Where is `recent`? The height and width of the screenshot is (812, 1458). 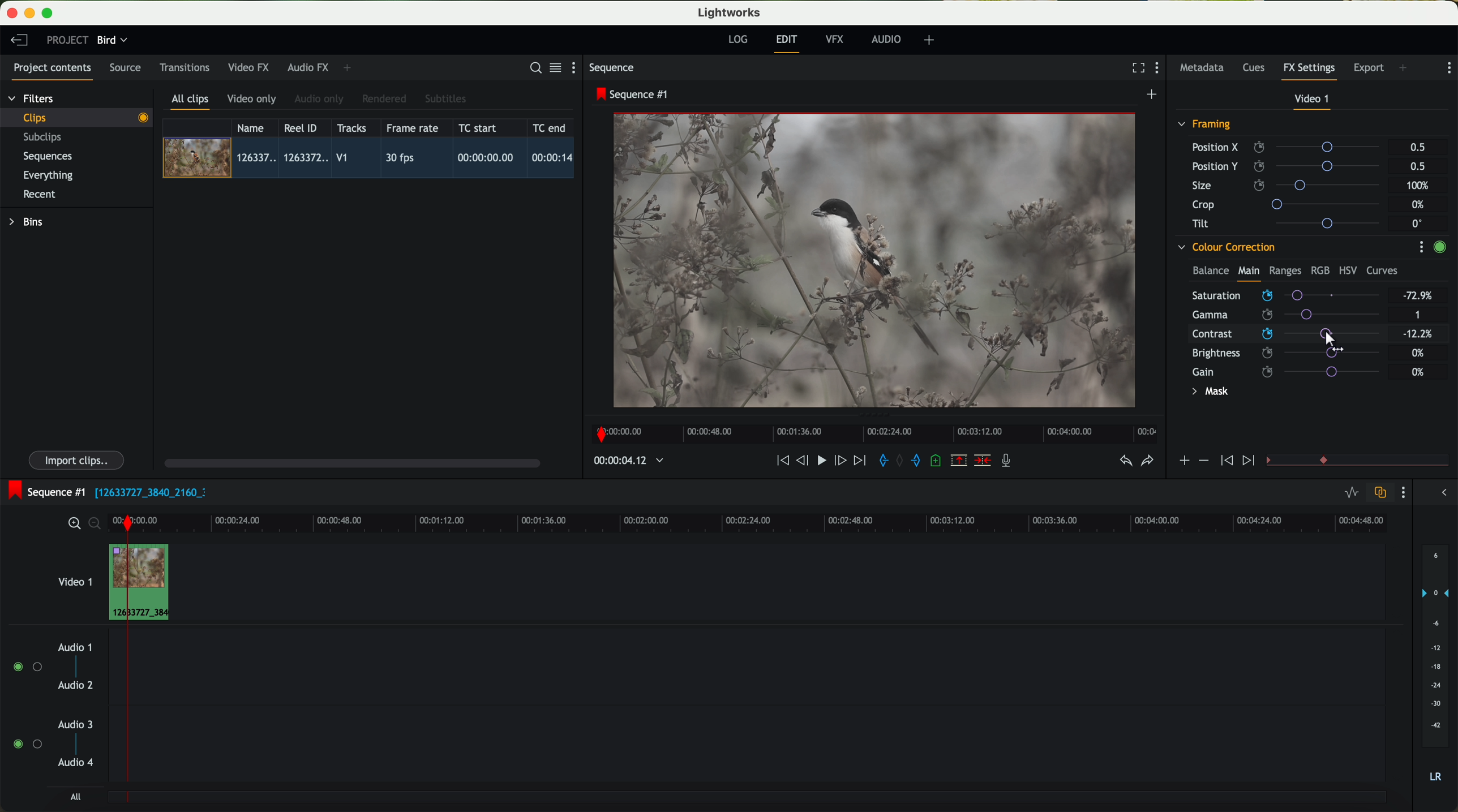 recent is located at coordinates (40, 196).